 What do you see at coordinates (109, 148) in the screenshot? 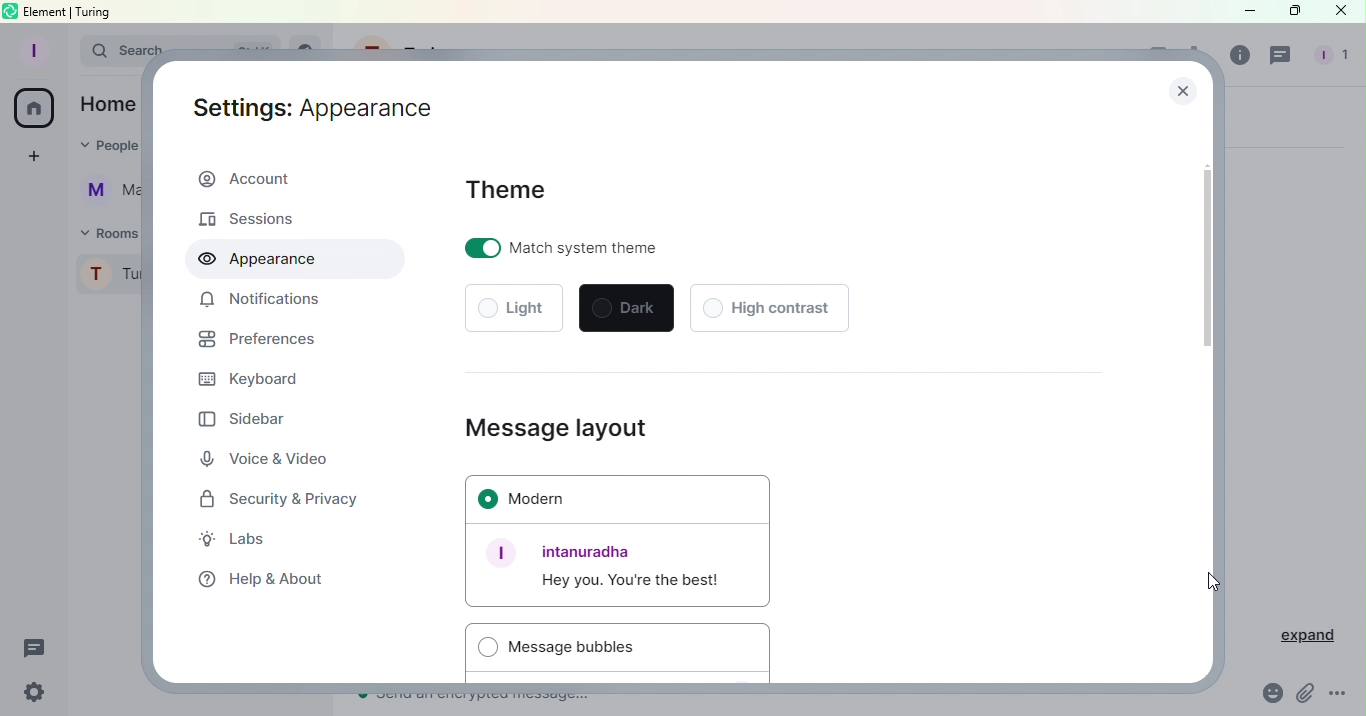
I see `People` at bounding box center [109, 148].